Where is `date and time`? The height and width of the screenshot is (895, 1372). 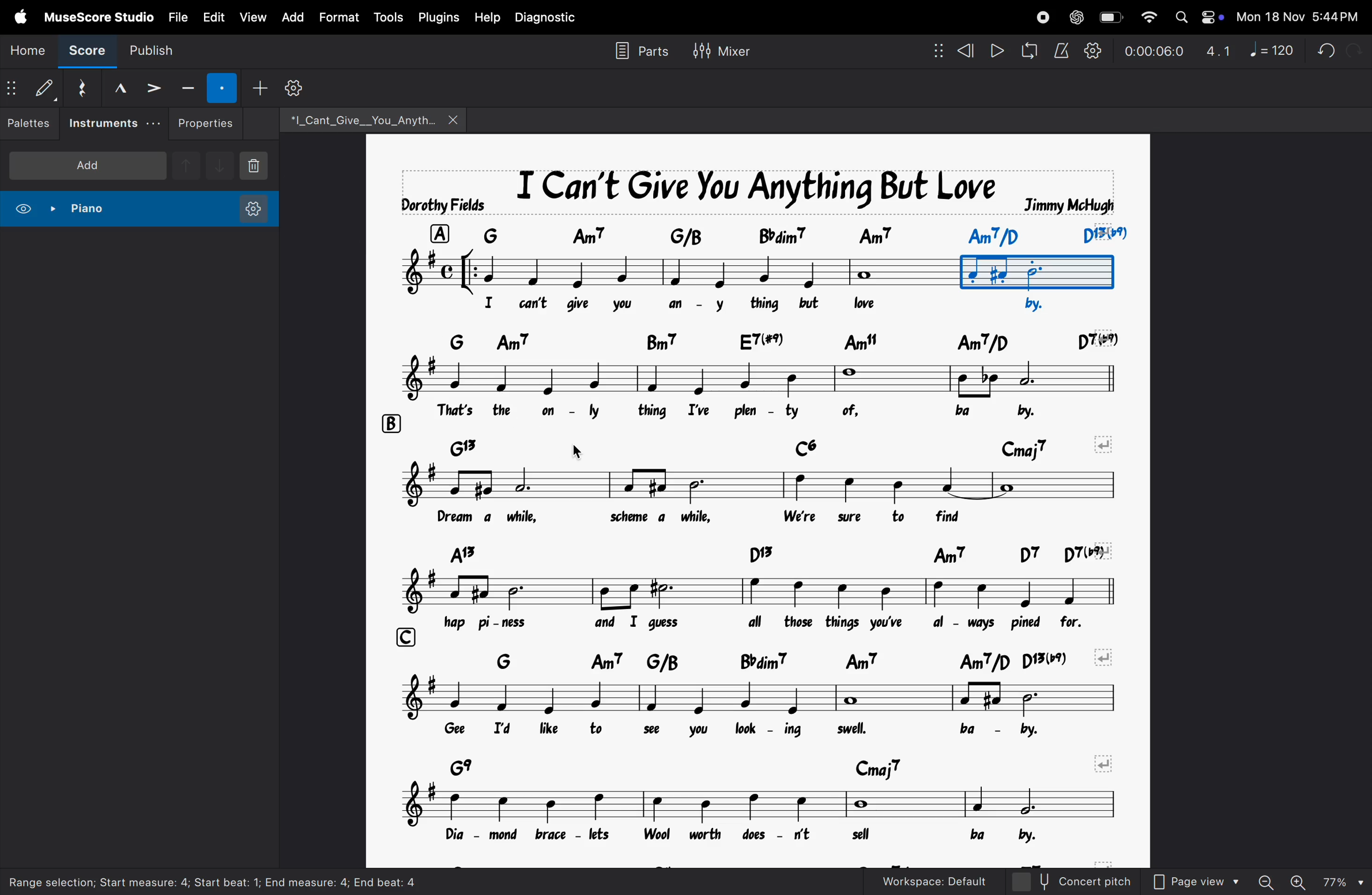 date and time is located at coordinates (1296, 16).